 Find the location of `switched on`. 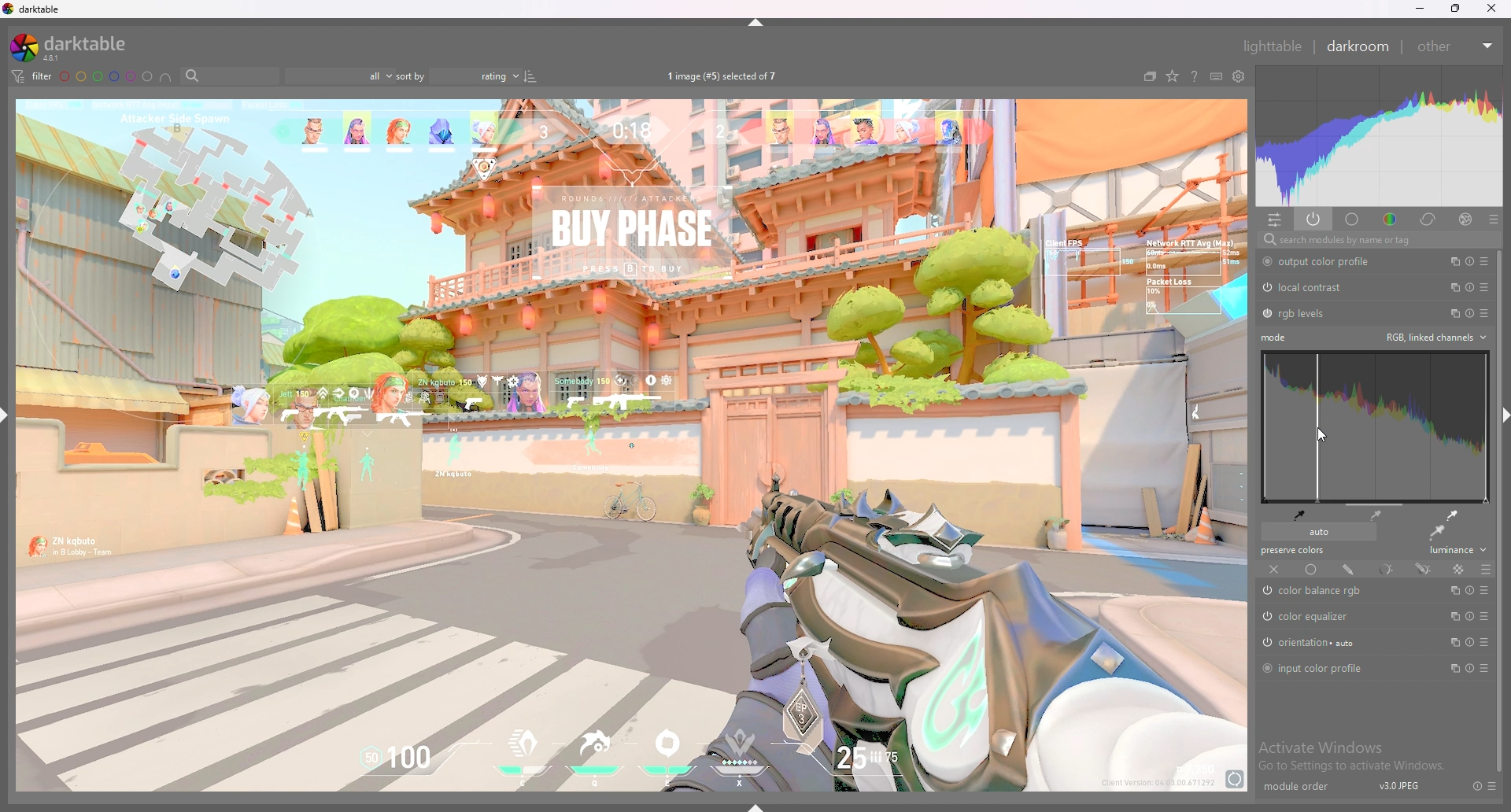

switched on is located at coordinates (1270, 592).